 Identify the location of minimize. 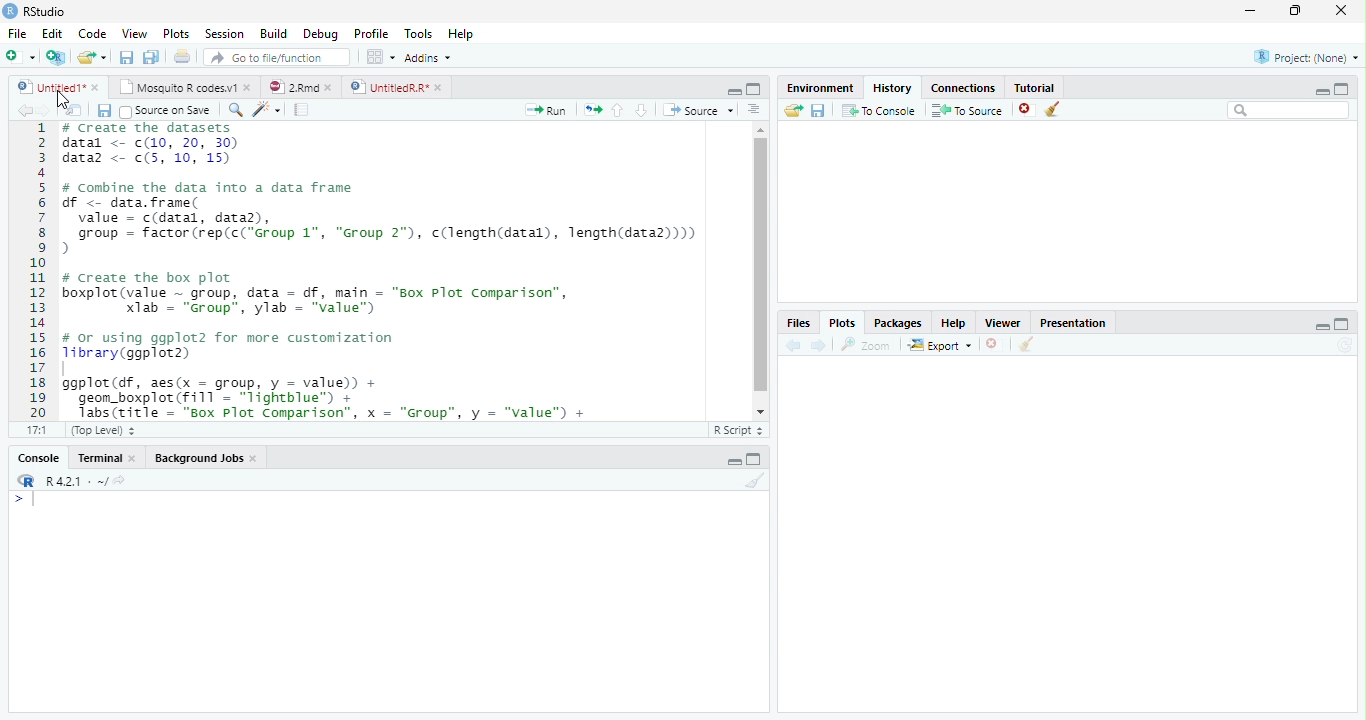
(1251, 10).